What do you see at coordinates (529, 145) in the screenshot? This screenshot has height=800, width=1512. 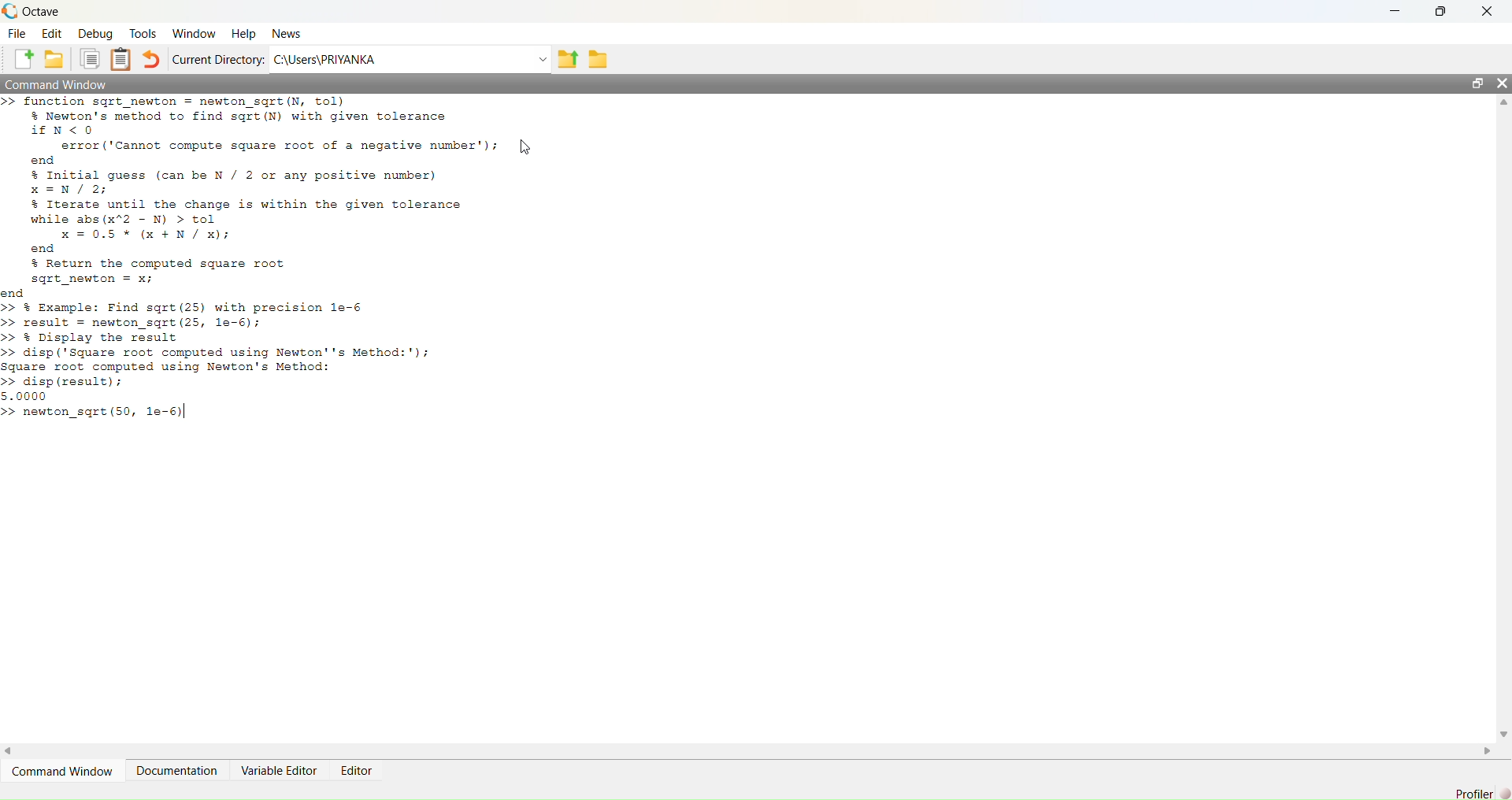 I see `Cursor` at bounding box center [529, 145].